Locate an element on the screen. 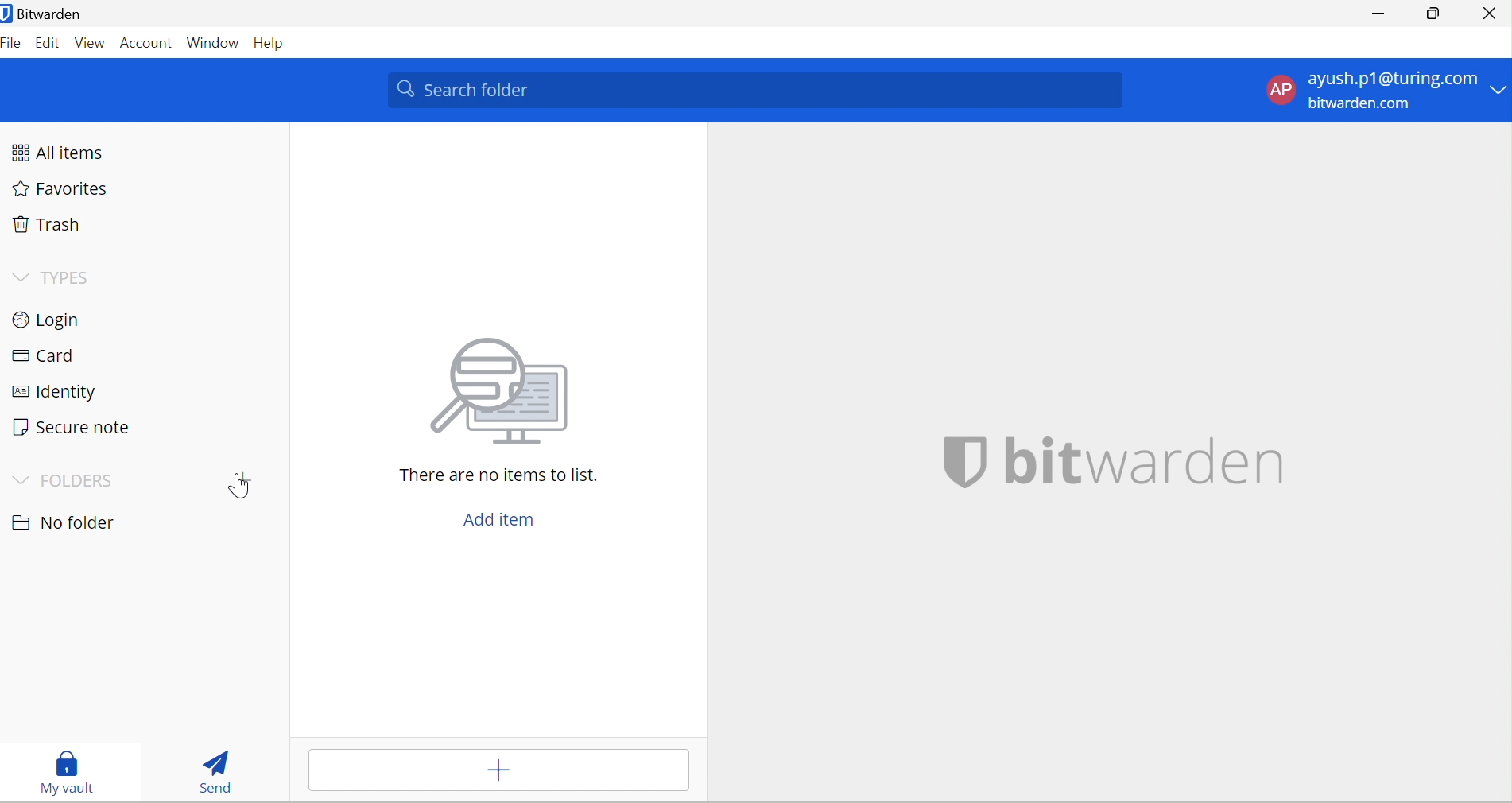  Favorites is located at coordinates (67, 191).